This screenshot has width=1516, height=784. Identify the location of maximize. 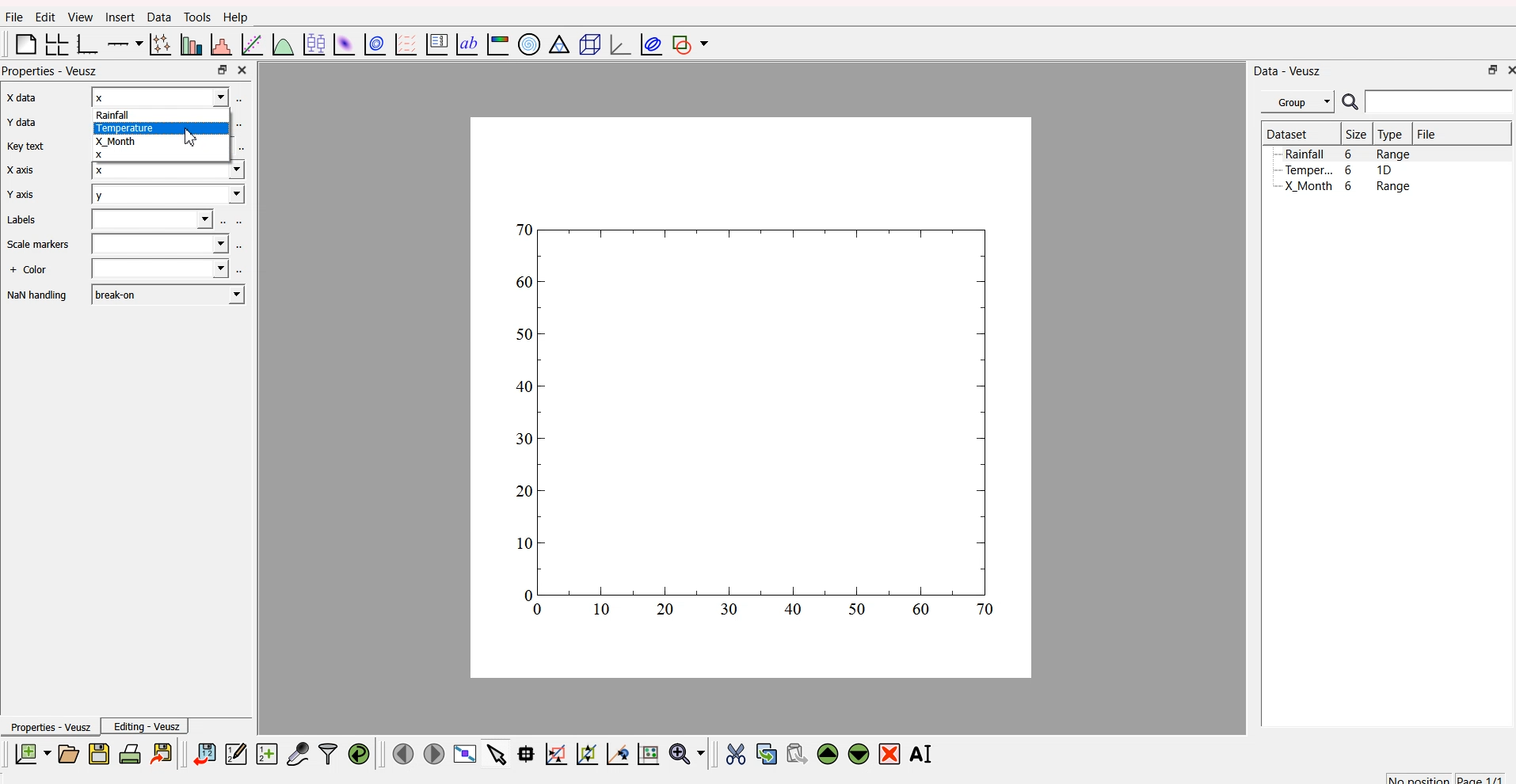
(221, 70).